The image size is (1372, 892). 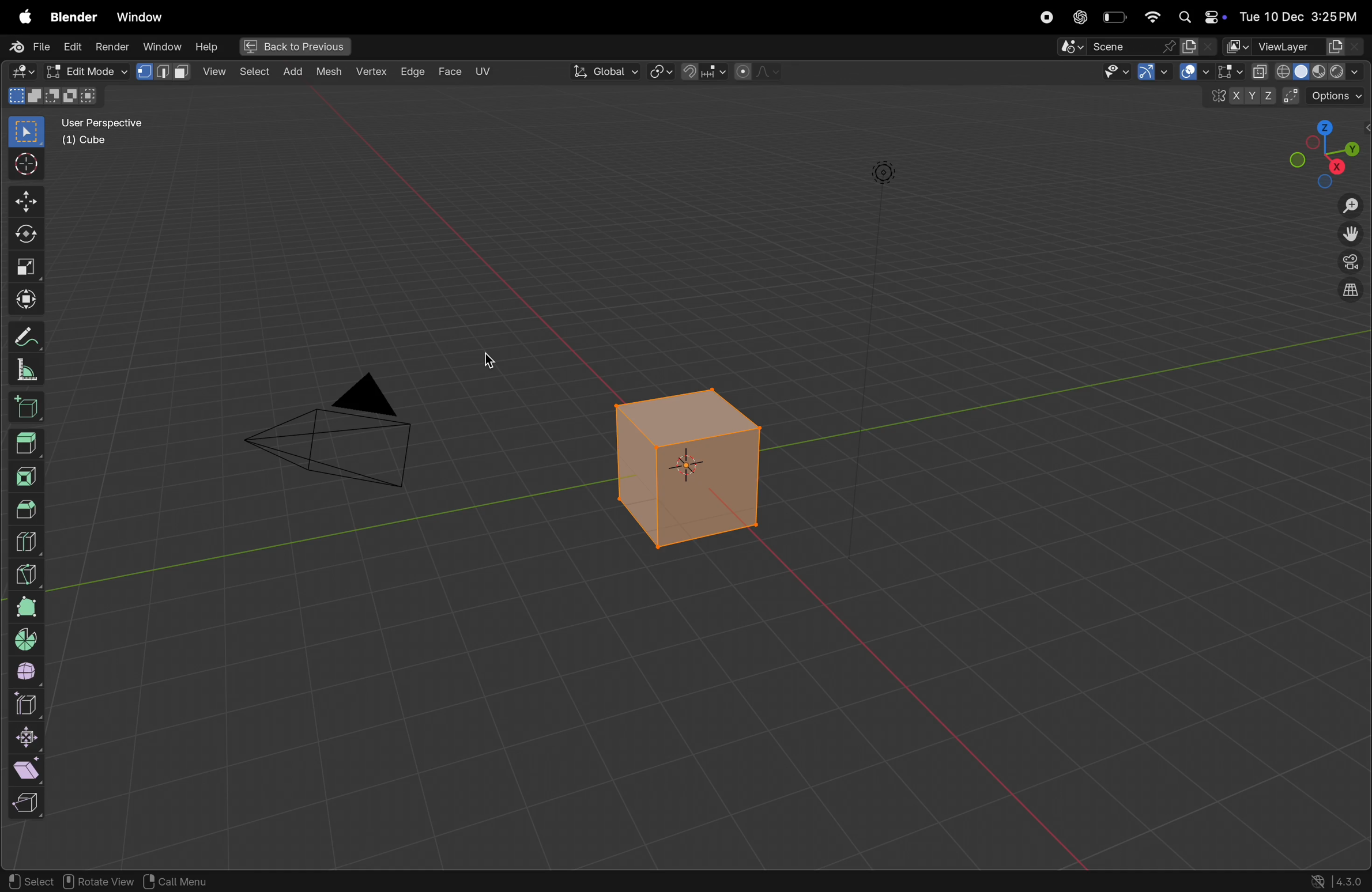 I want to click on chatgpt, so click(x=1080, y=17).